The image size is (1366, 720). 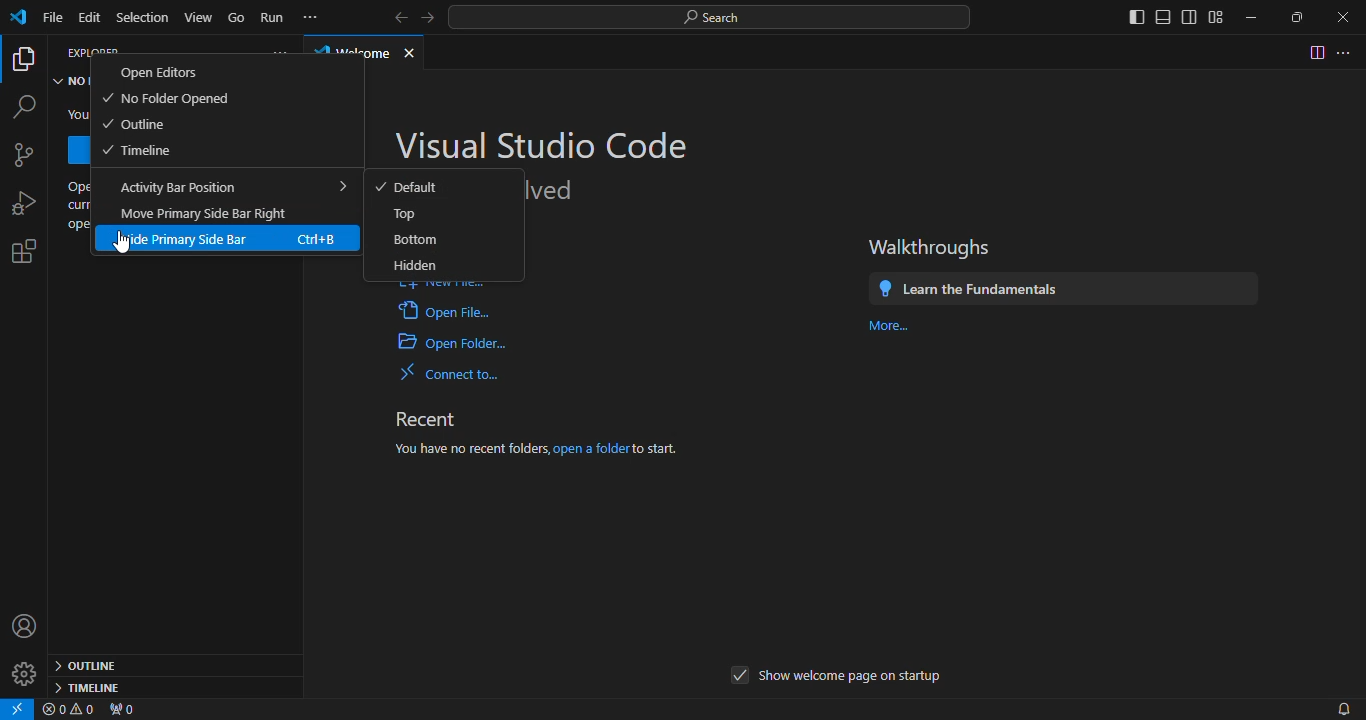 I want to click on walkthroughs, so click(x=935, y=247).